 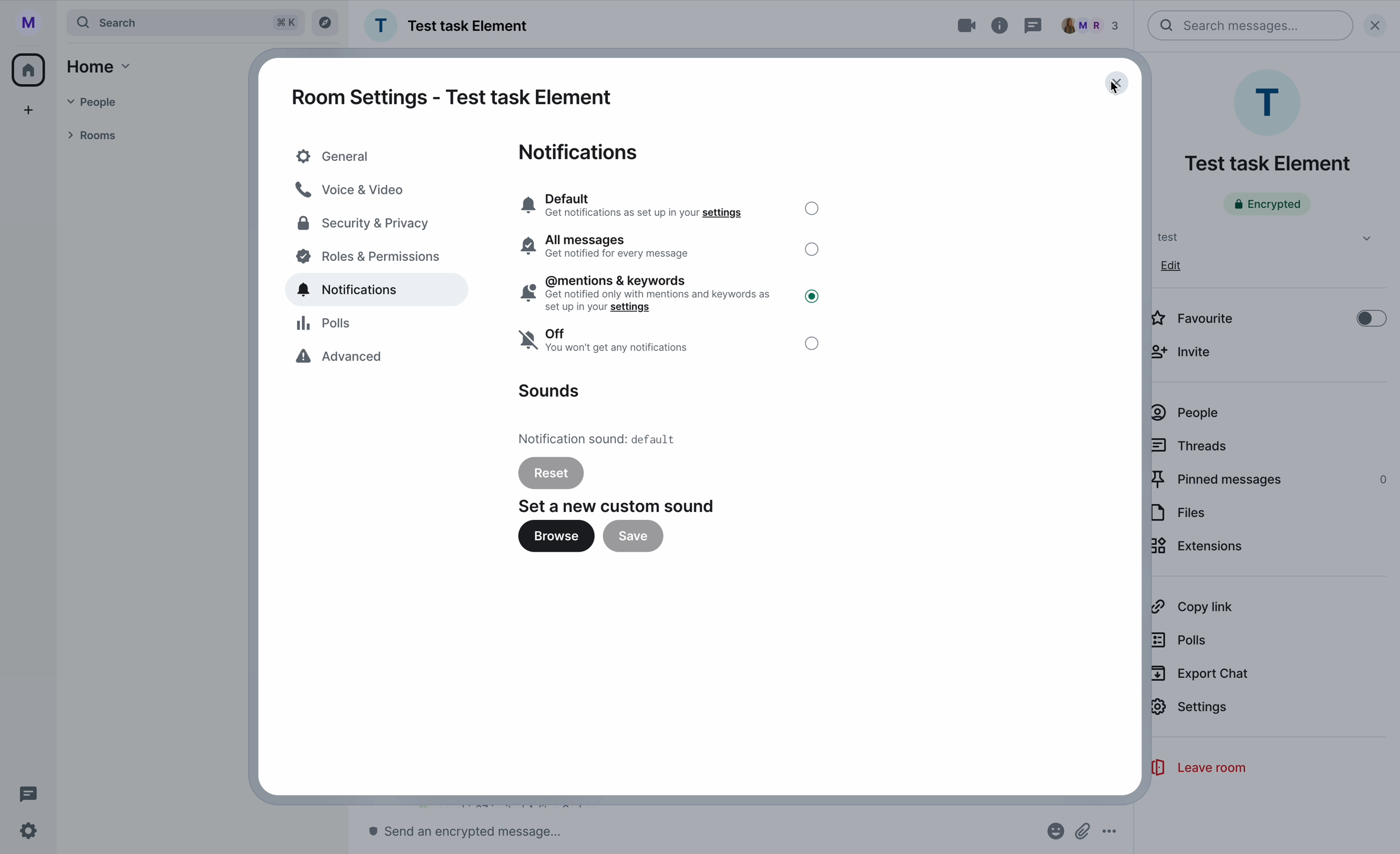 What do you see at coordinates (25, 793) in the screenshot?
I see `threads` at bounding box center [25, 793].